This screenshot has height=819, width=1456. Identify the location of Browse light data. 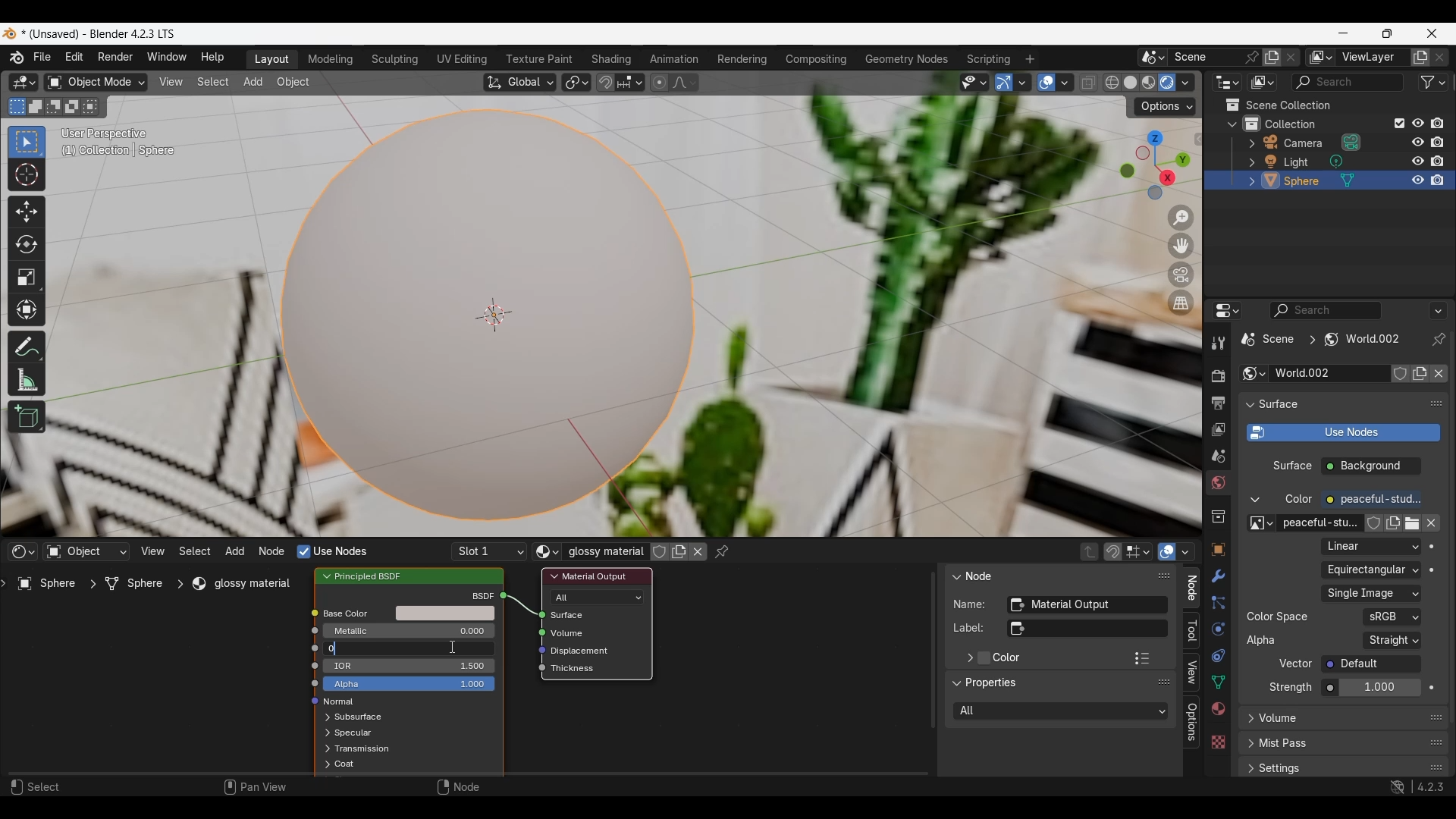
(1335, 161).